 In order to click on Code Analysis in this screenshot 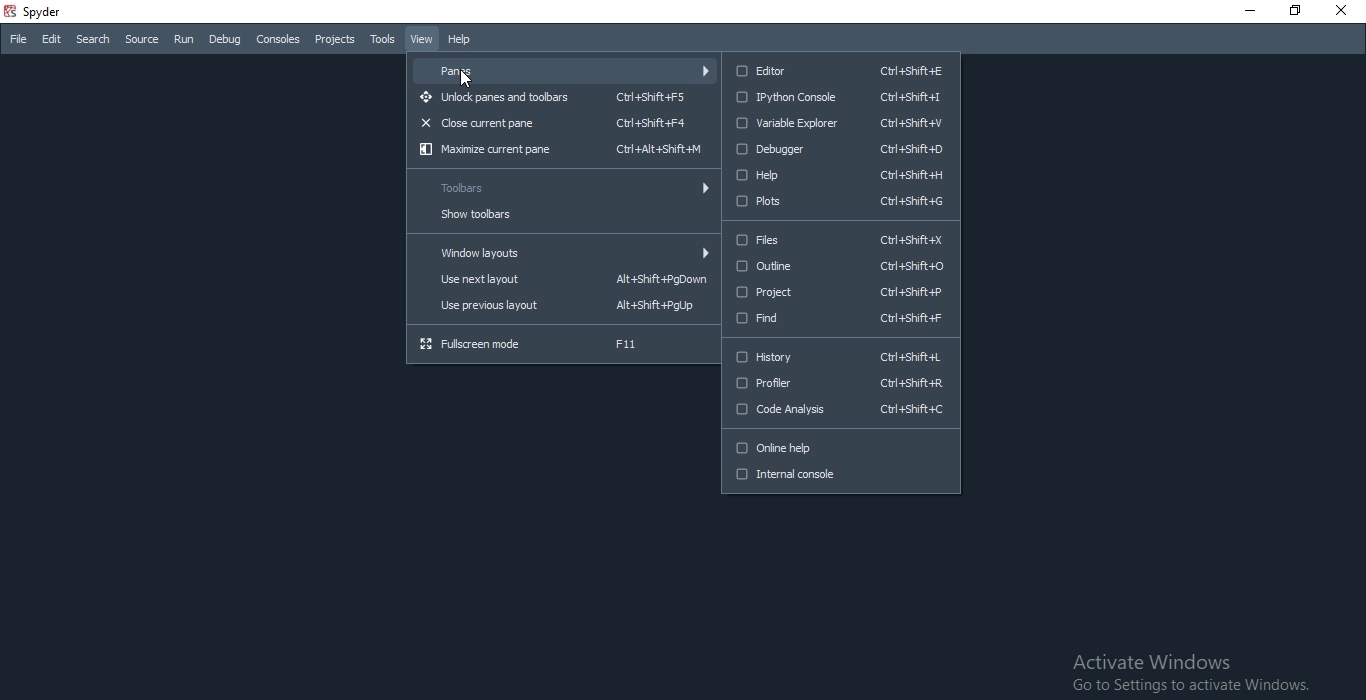, I will do `click(840, 412)`.